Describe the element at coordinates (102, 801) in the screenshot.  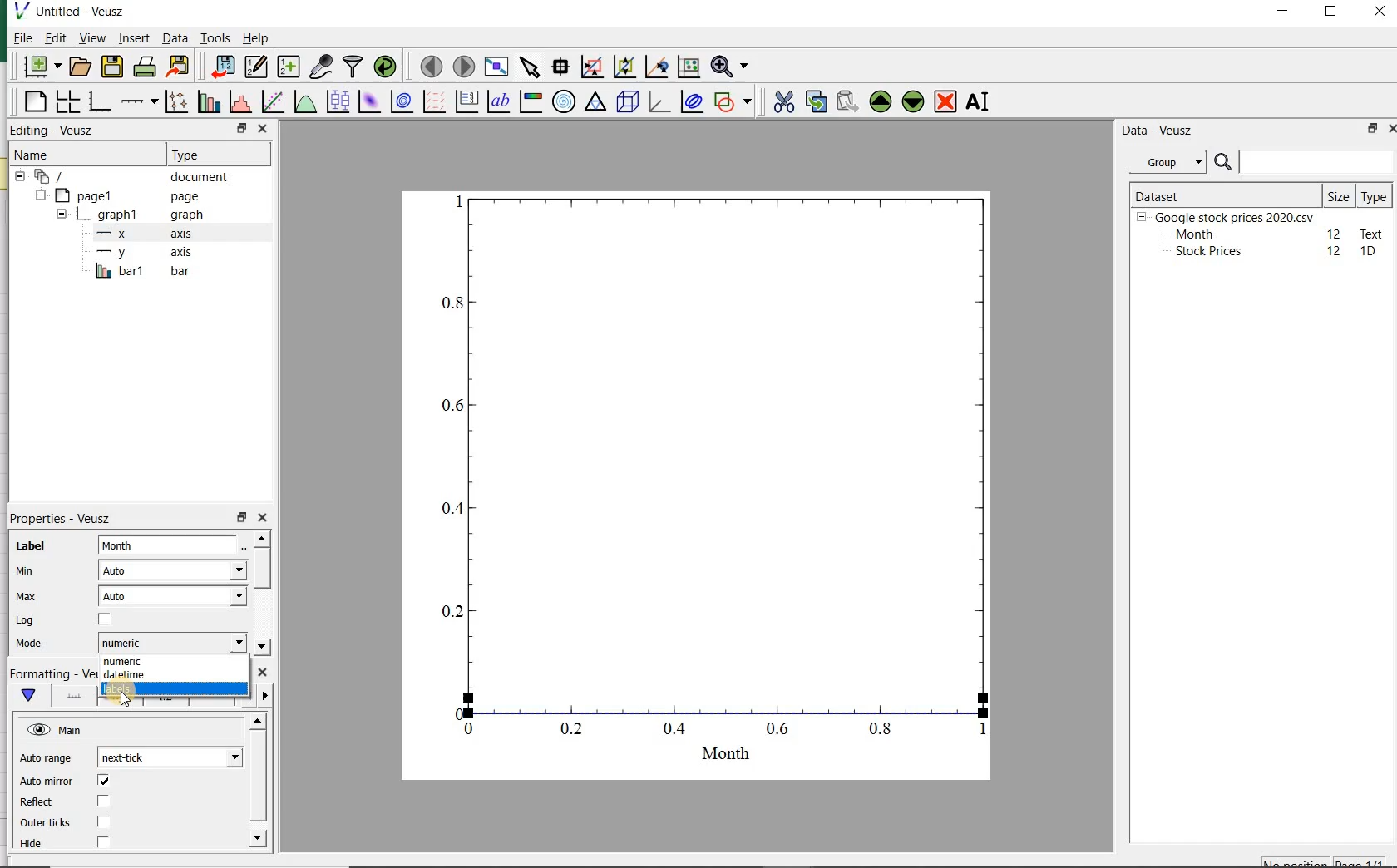
I see `check/uncheck` at that location.